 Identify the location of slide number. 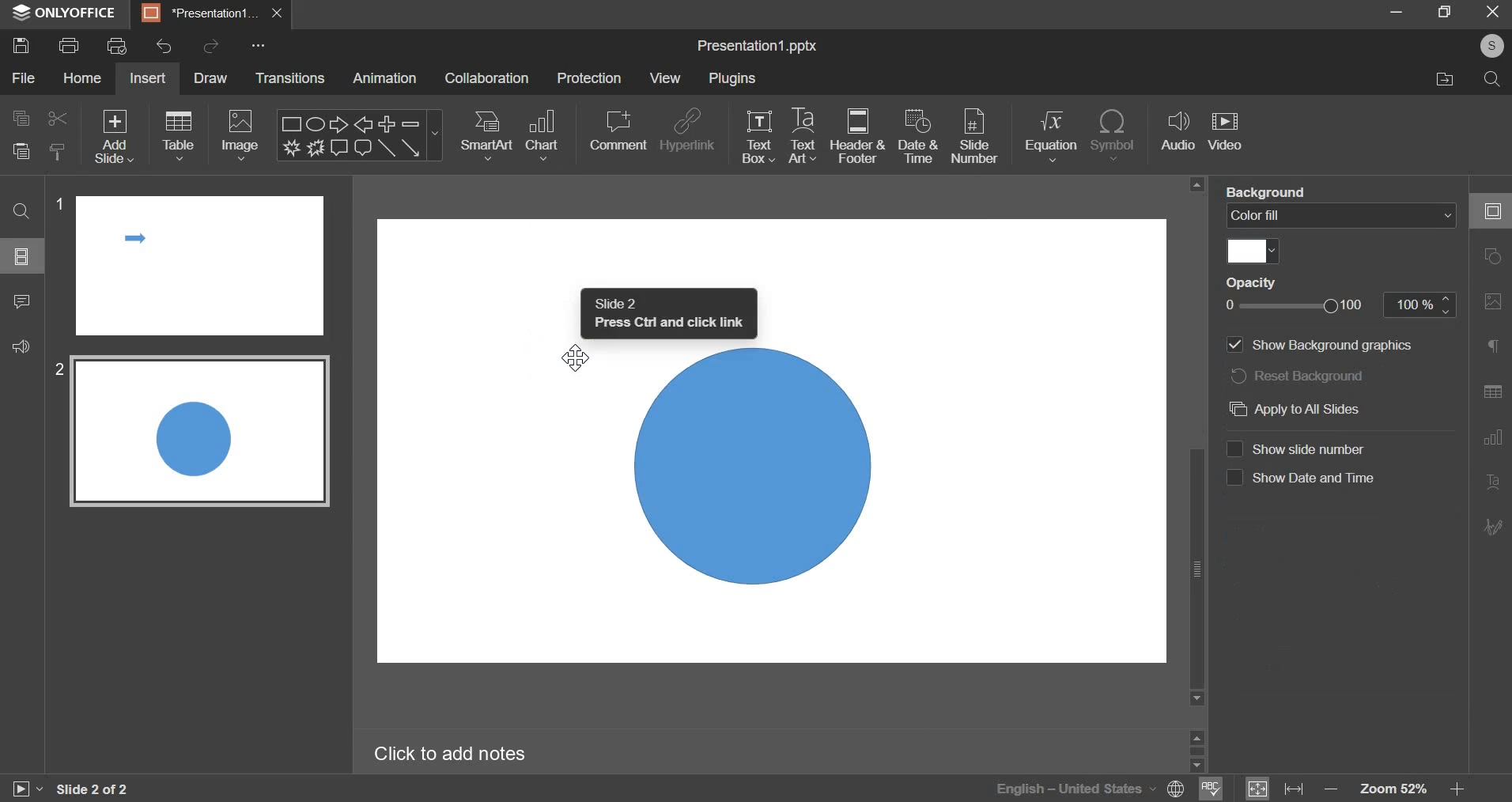
(974, 137).